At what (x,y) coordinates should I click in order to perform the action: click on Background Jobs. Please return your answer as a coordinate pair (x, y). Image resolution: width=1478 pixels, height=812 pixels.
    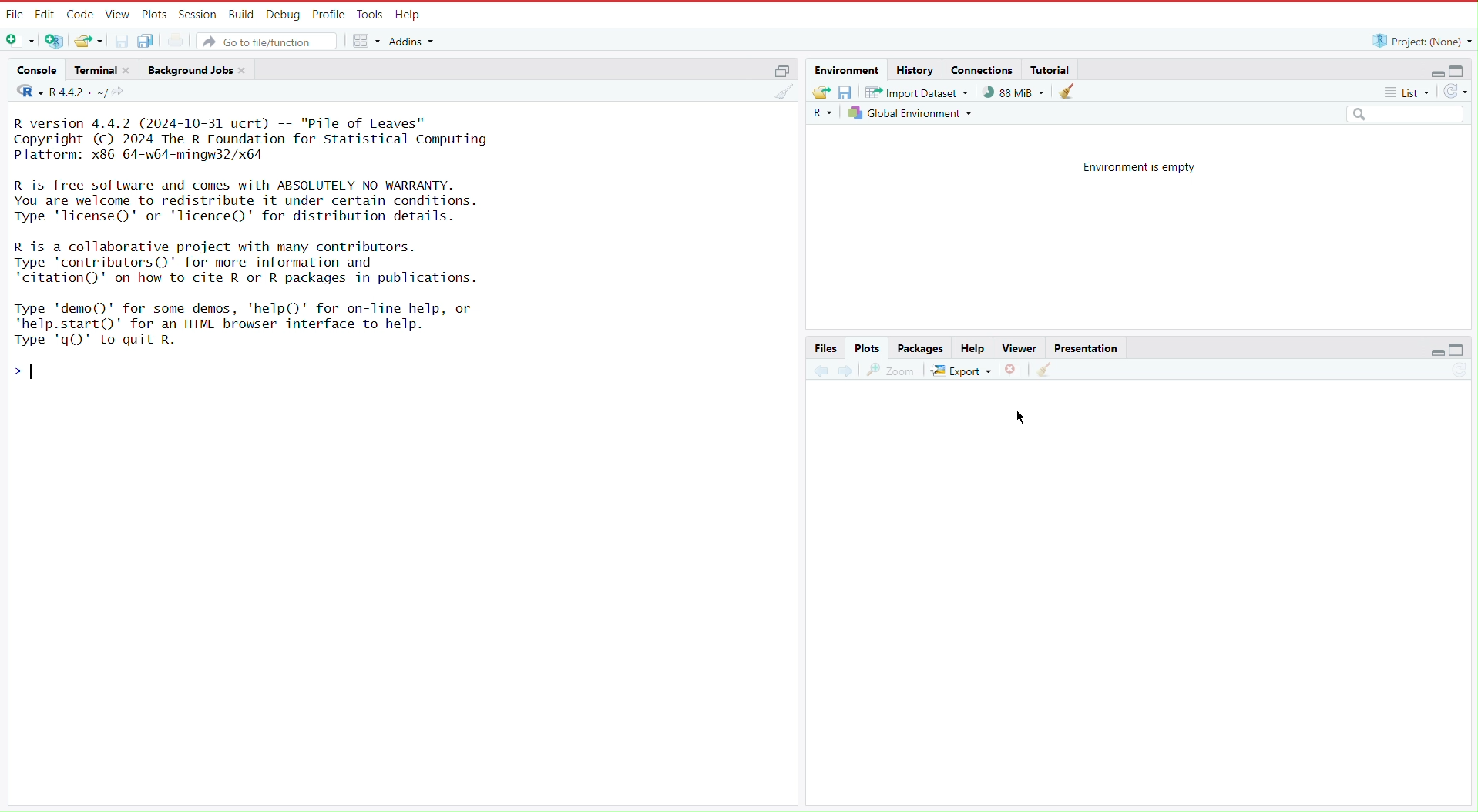
    Looking at the image, I should click on (198, 69).